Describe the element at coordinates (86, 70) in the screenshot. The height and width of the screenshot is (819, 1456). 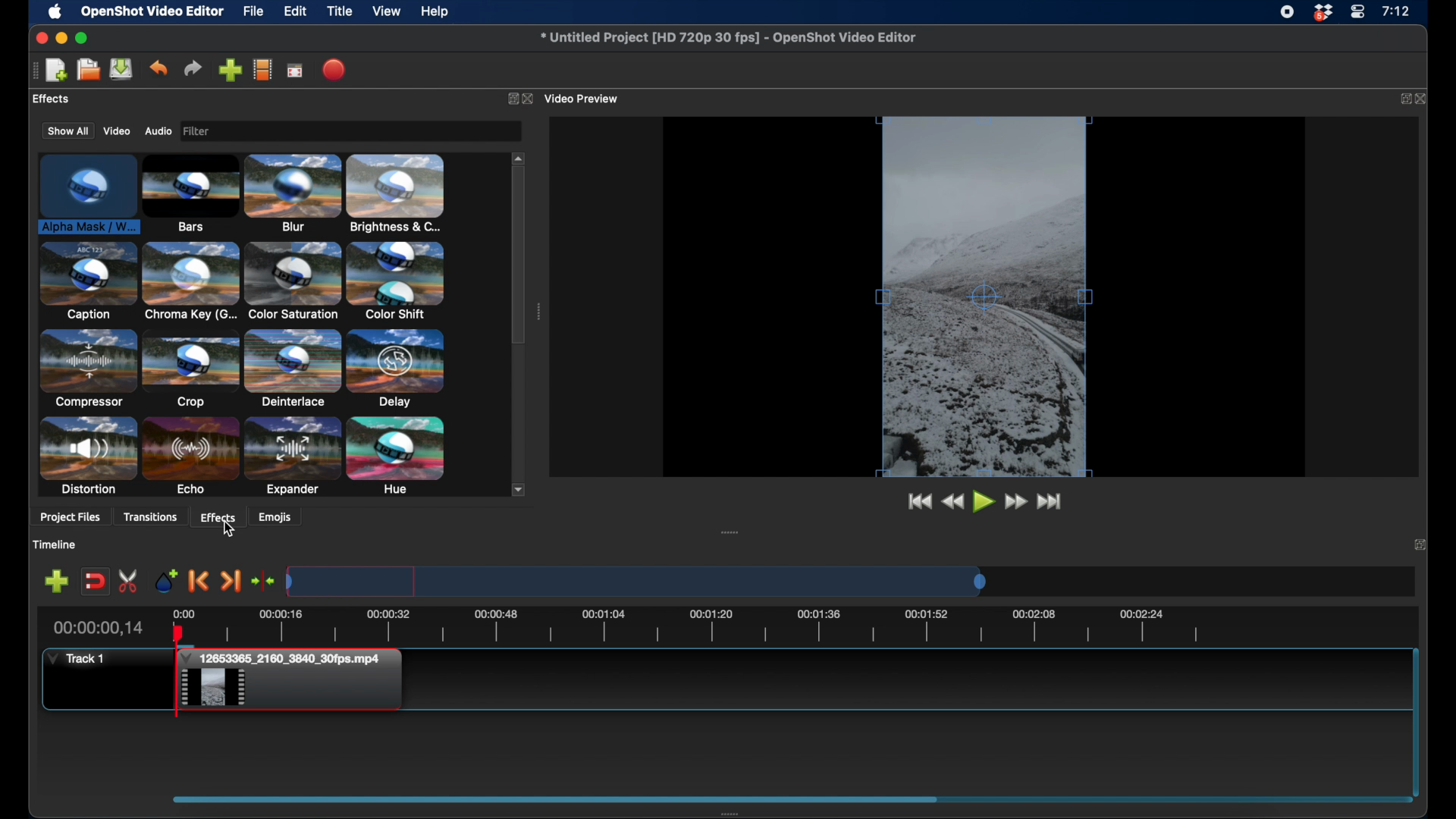
I see `open project` at that location.